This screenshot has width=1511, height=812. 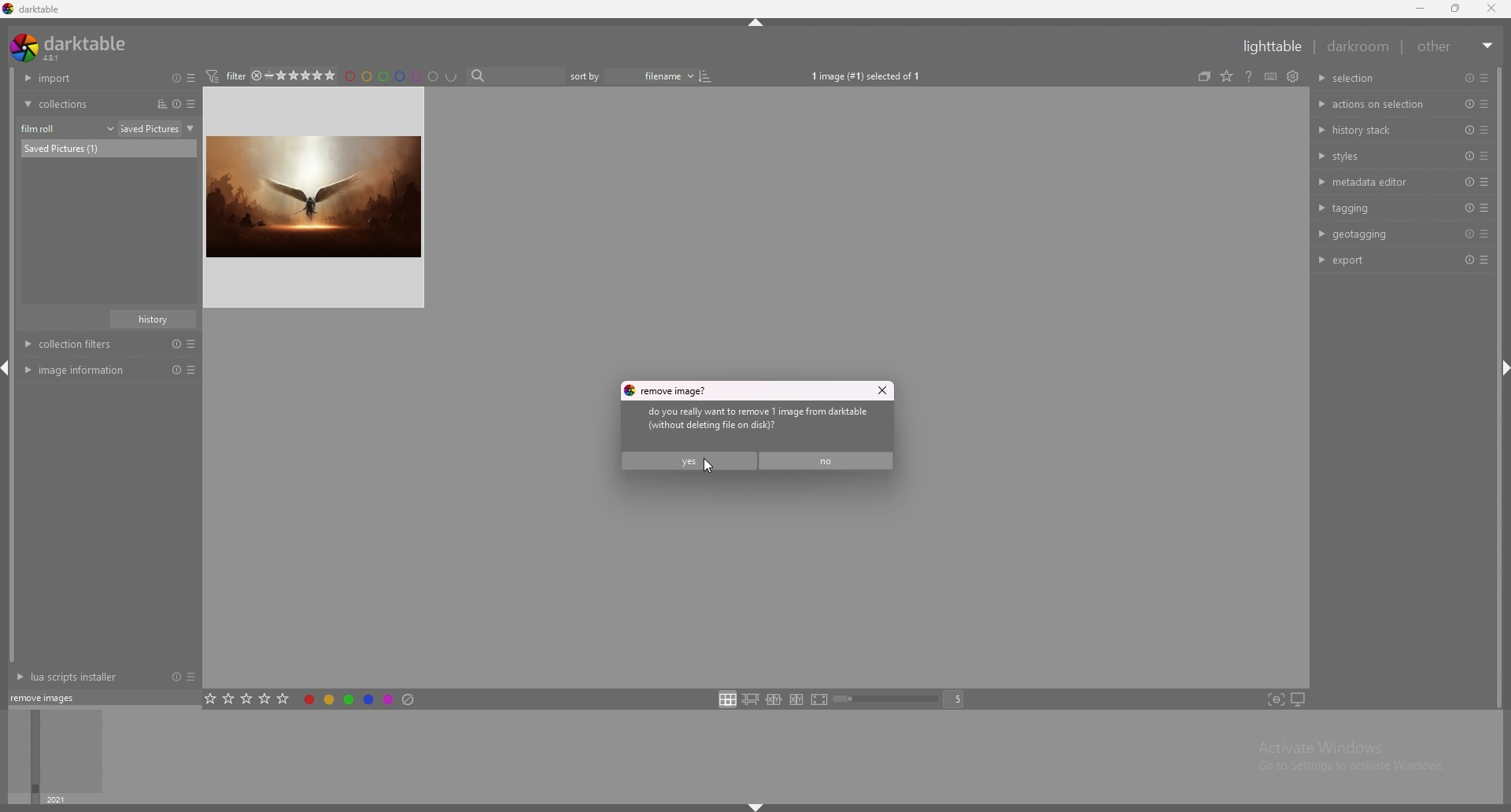 What do you see at coordinates (888, 700) in the screenshot?
I see `zoom bar` at bounding box center [888, 700].